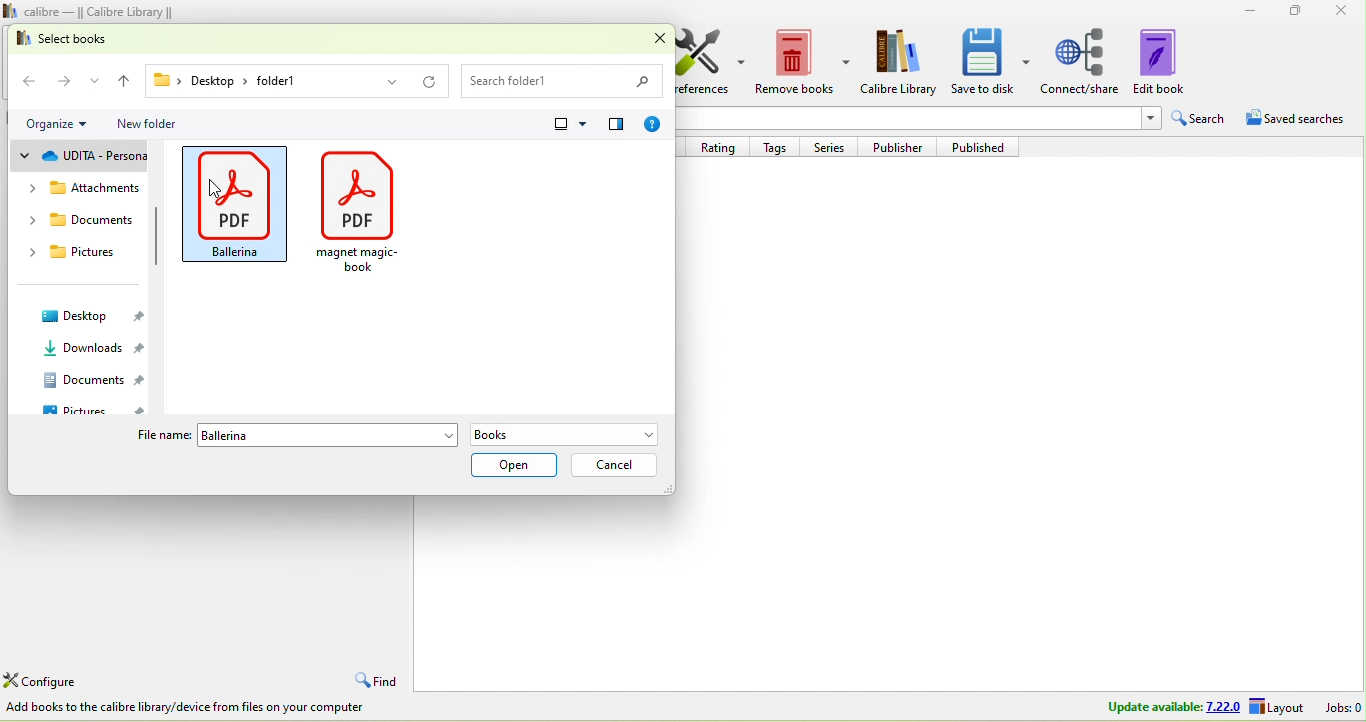 The height and width of the screenshot is (722, 1366). I want to click on calibre library, so click(901, 63).